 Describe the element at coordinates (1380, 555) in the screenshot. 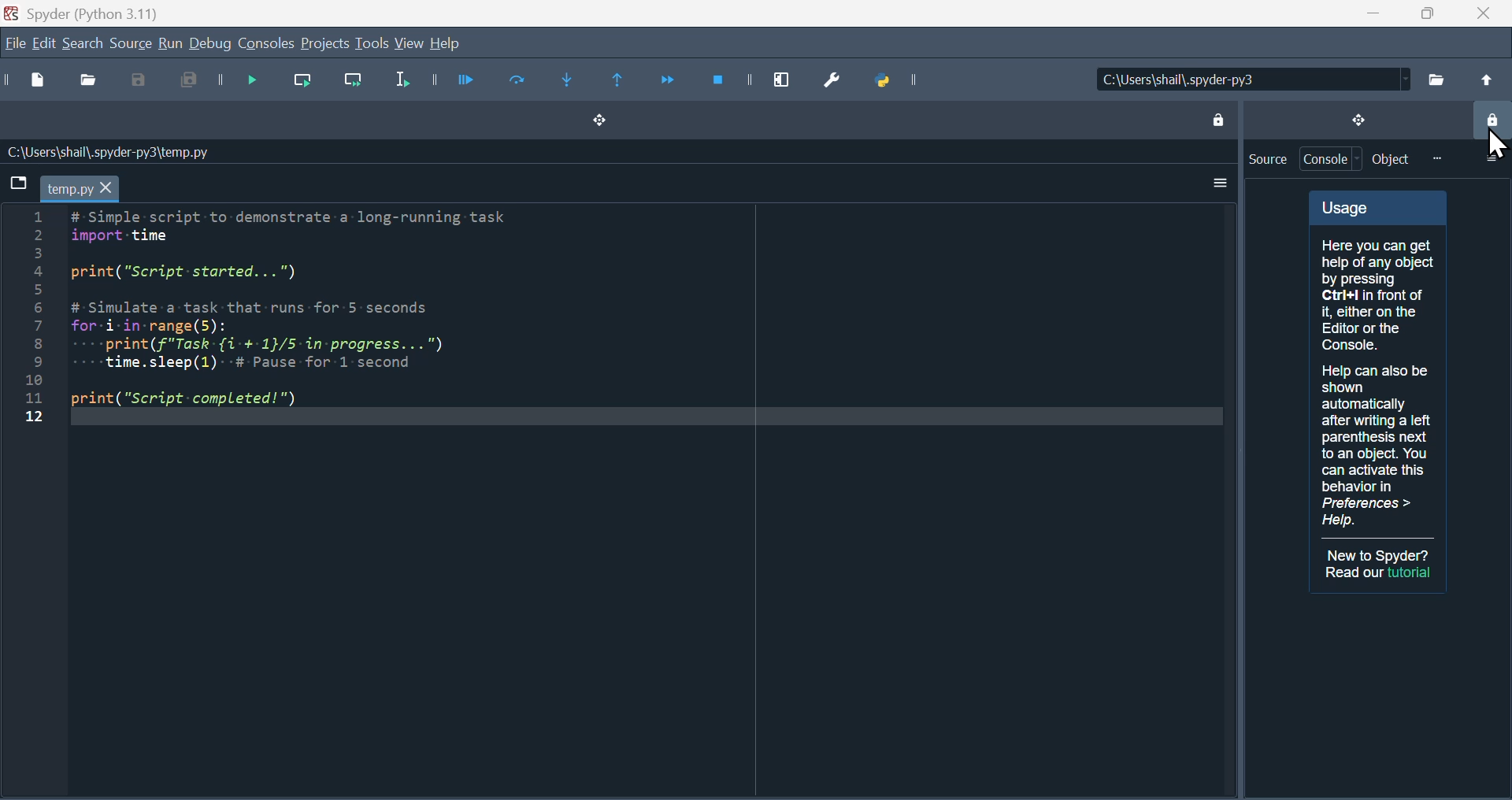

I see `New to Spyder?` at that location.